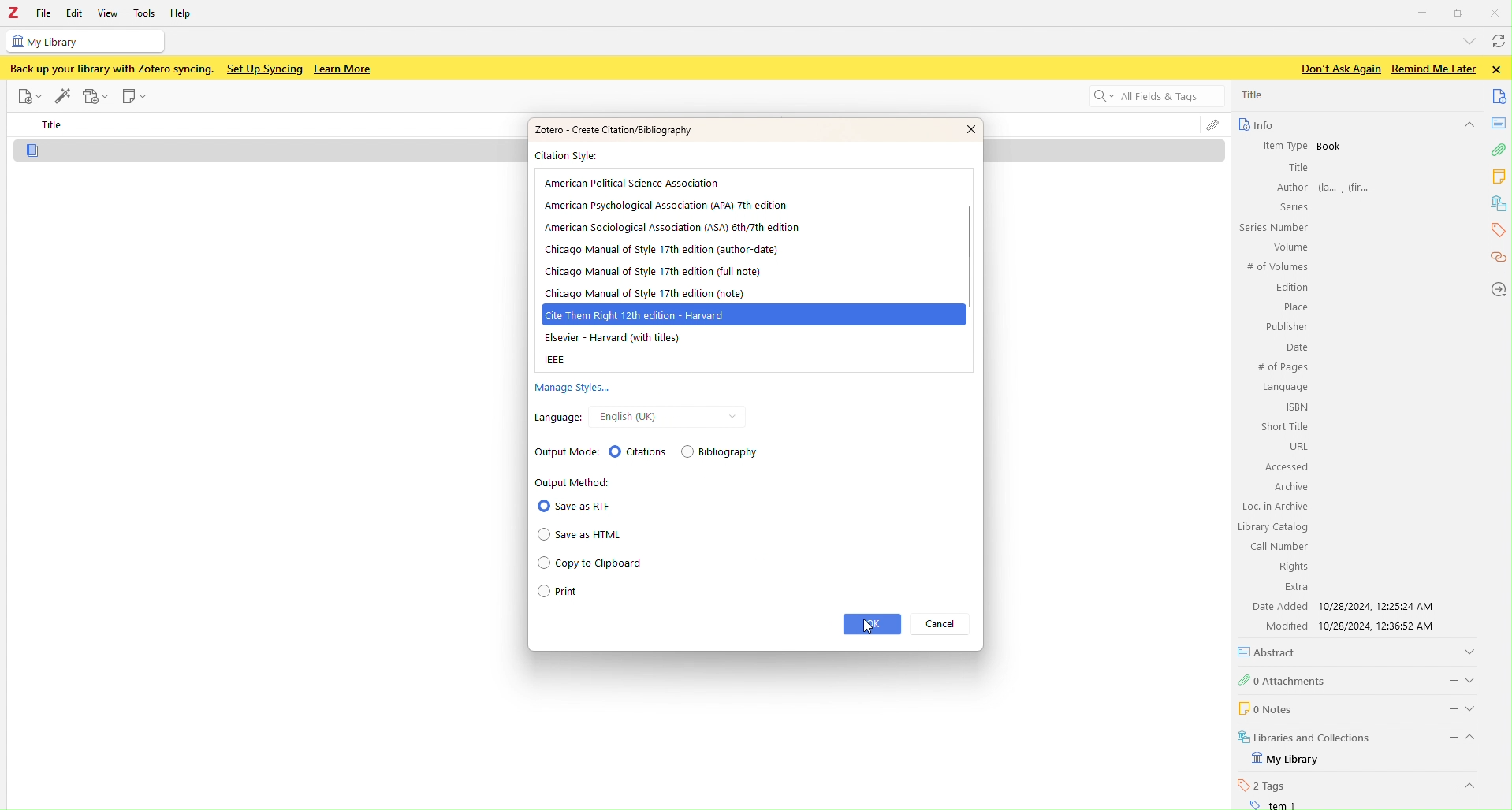 Image resolution: width=1512 pixels, height=810 pixels. What do you see at coordinates (1433, 69) in the screenshot?
I see `Remind Me Later` at bounding box center [1433, 69].